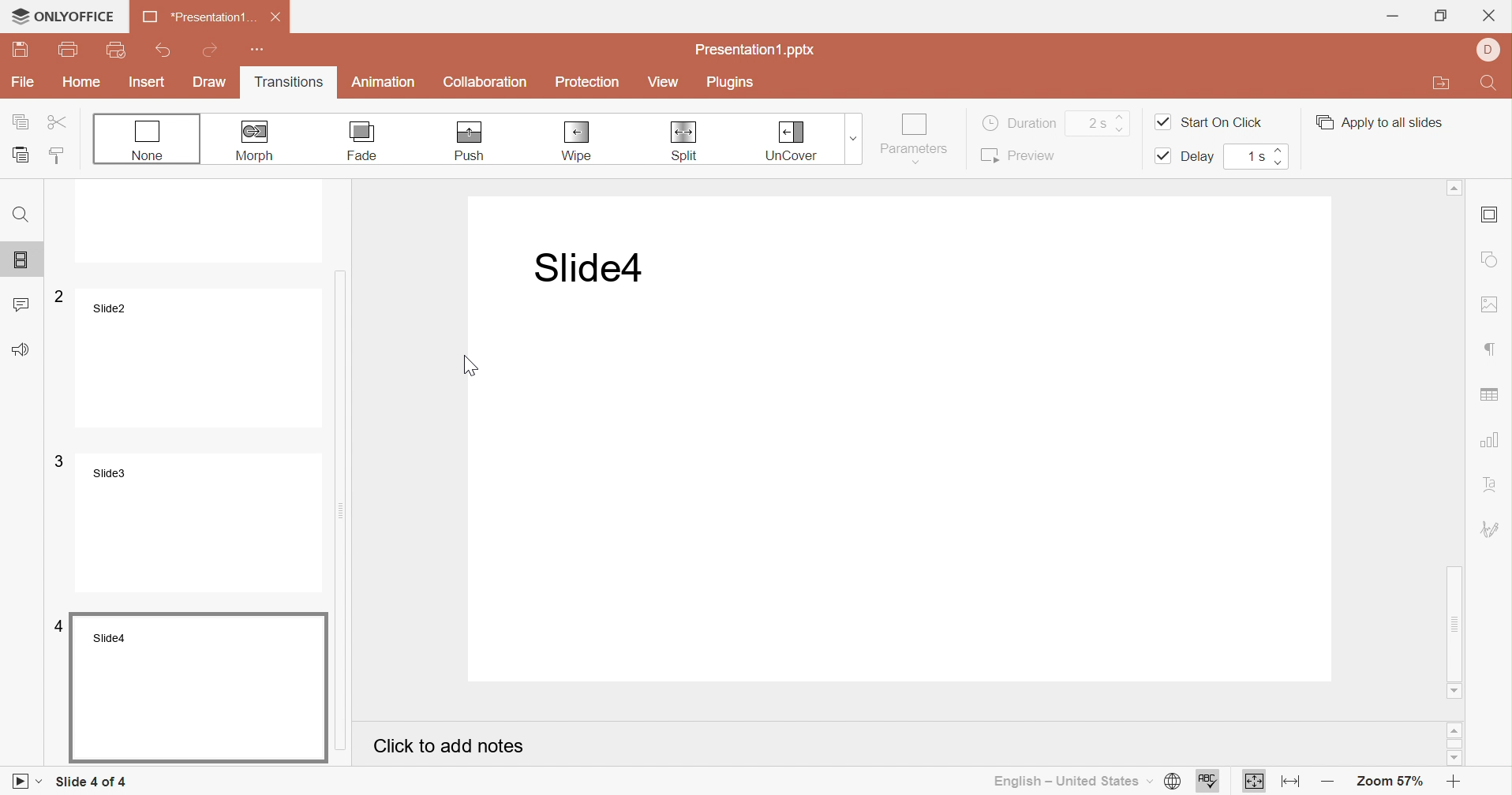 Image resolution: width=1512 pixels, height=795 pixels. What do you see at coordinates (25, 82) in the screenshot?
I see `File` at bounding box center [25, 82].